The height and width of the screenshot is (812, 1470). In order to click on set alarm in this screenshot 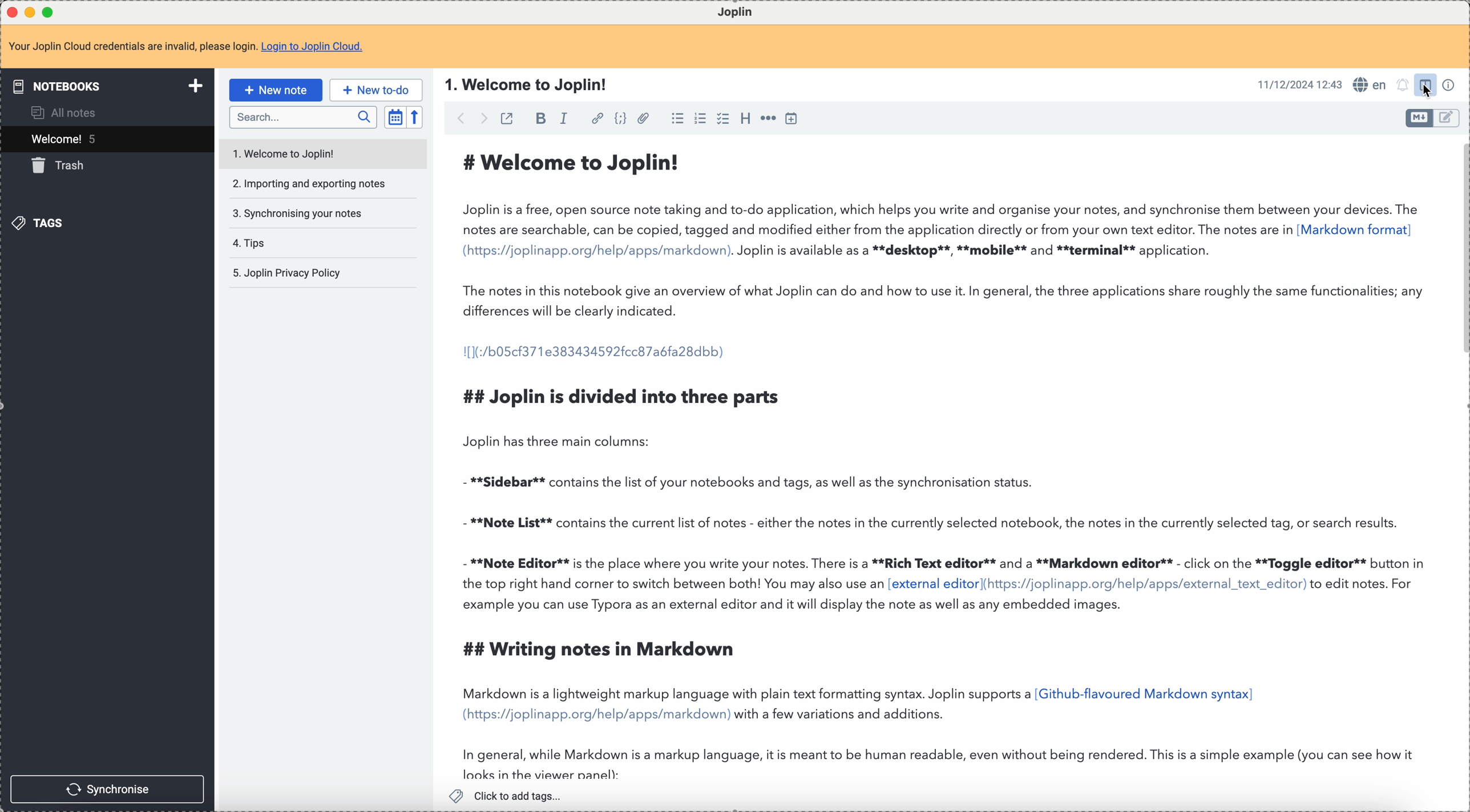, I will do `click(1401, 86)`.